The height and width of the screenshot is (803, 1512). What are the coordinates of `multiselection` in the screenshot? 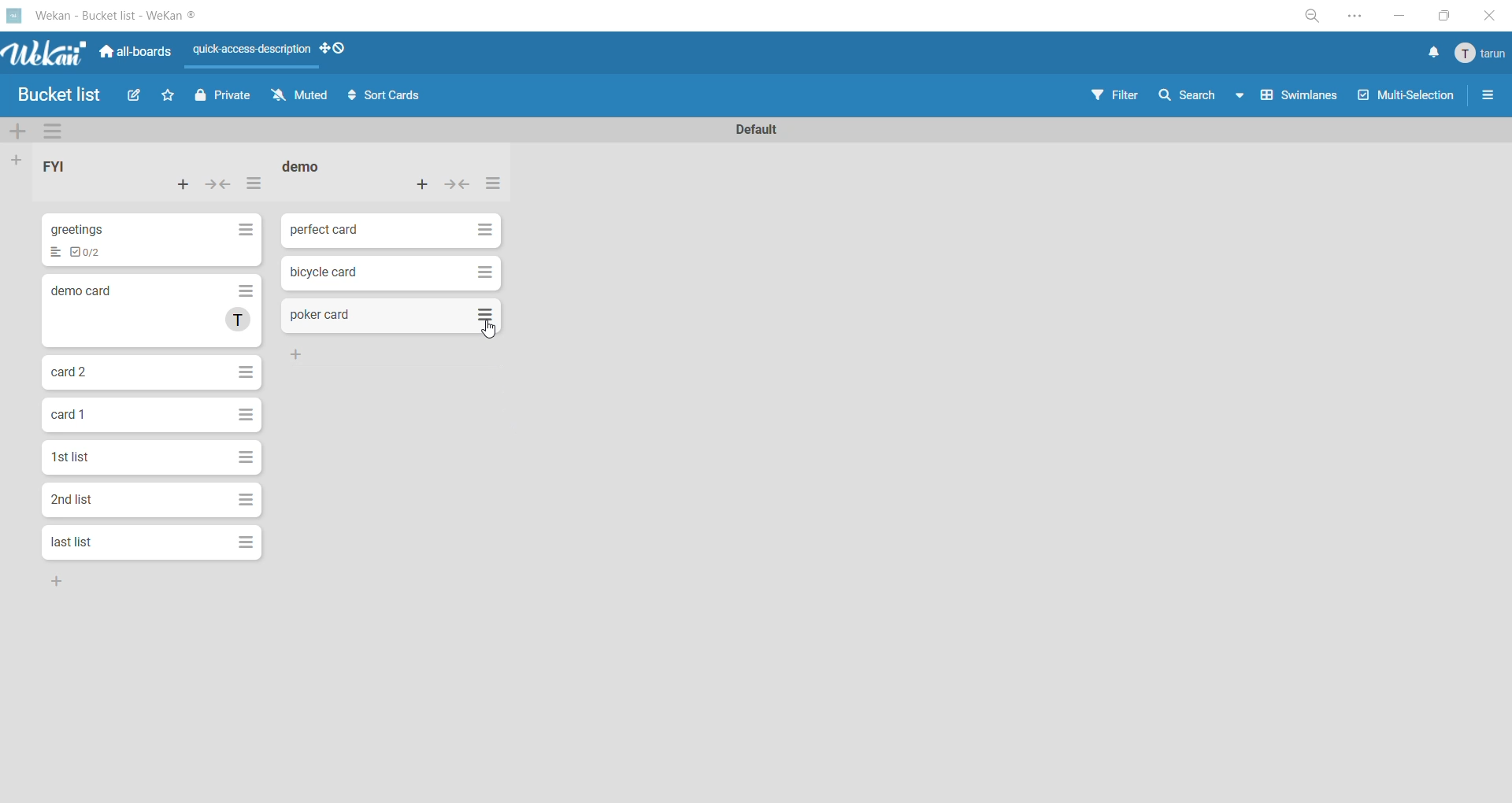 It's located at (1408, 96).